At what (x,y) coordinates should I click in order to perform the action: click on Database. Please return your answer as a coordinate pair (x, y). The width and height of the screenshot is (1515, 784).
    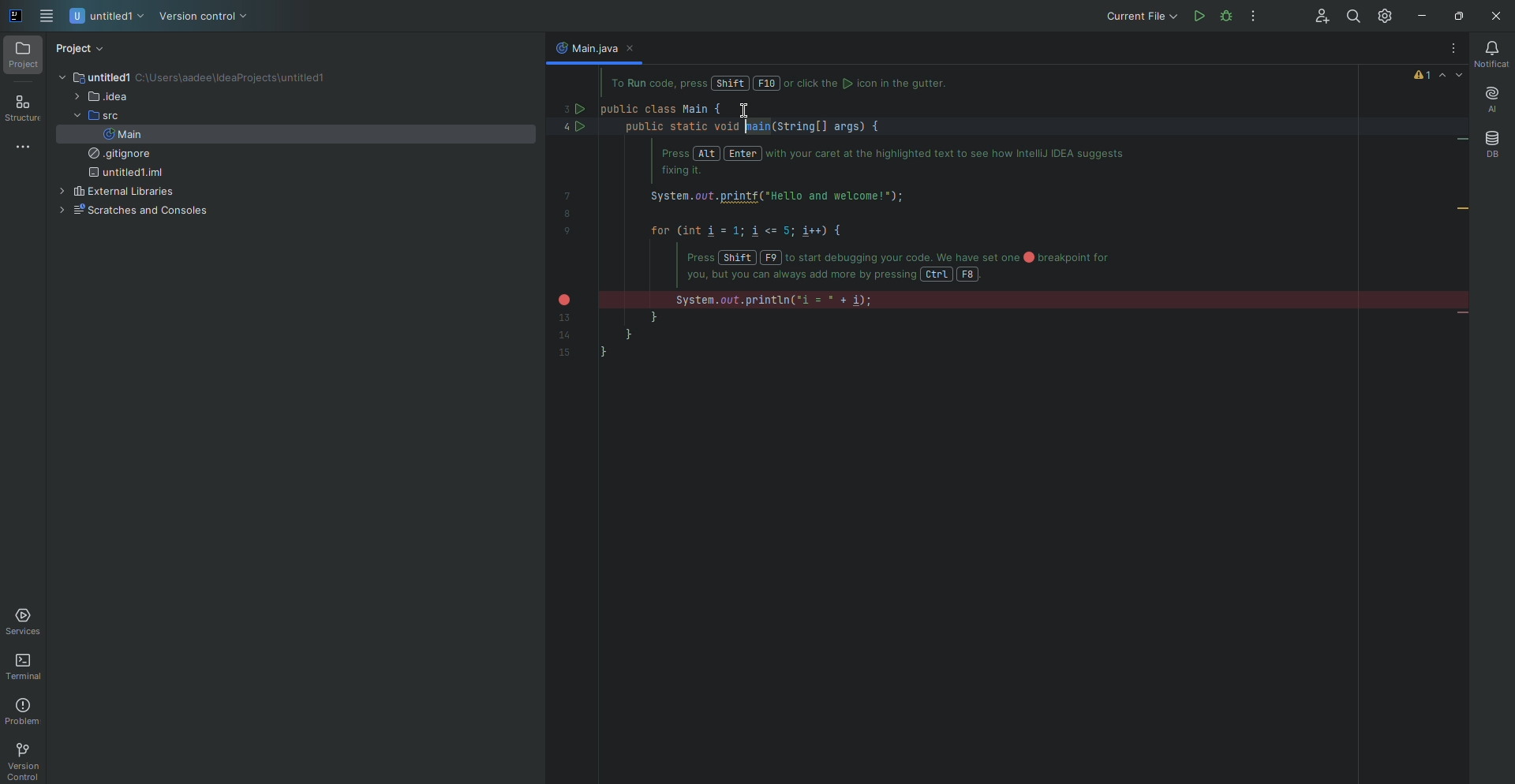
    Looking at the image, I should click on (1491, 144).